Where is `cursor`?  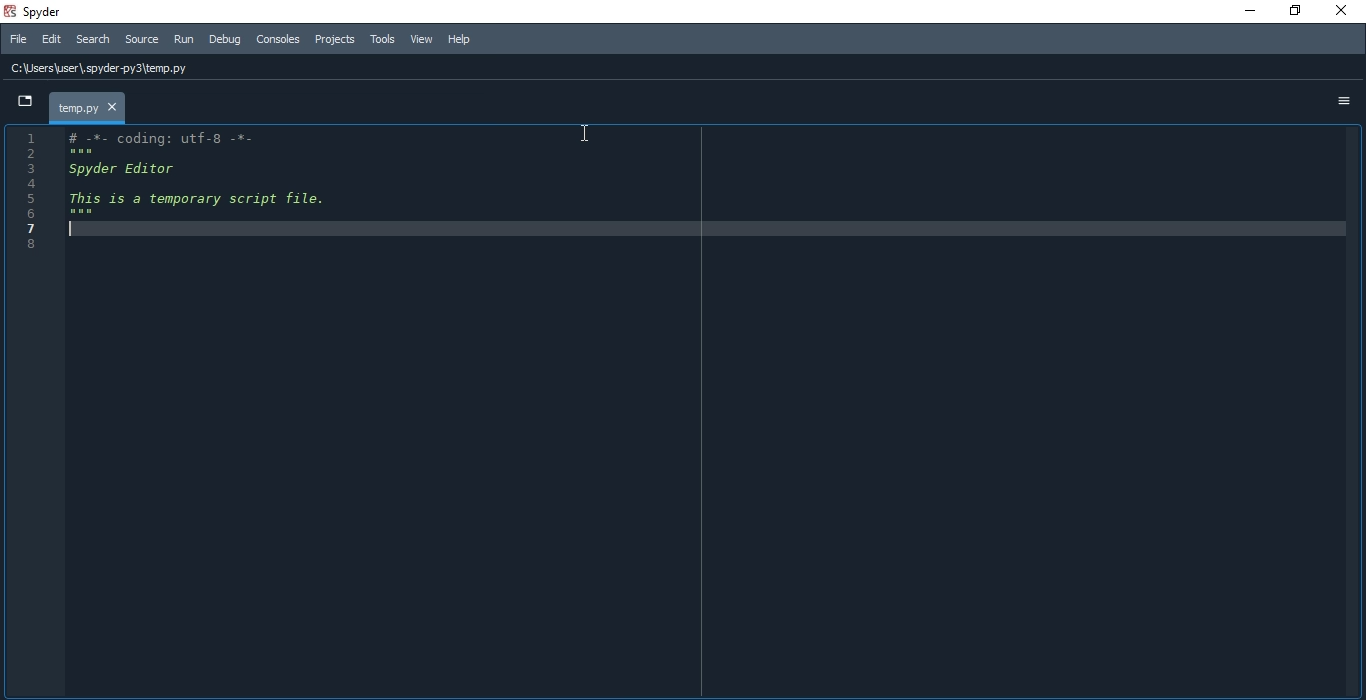
cursor is located at coordinates (586, 134).